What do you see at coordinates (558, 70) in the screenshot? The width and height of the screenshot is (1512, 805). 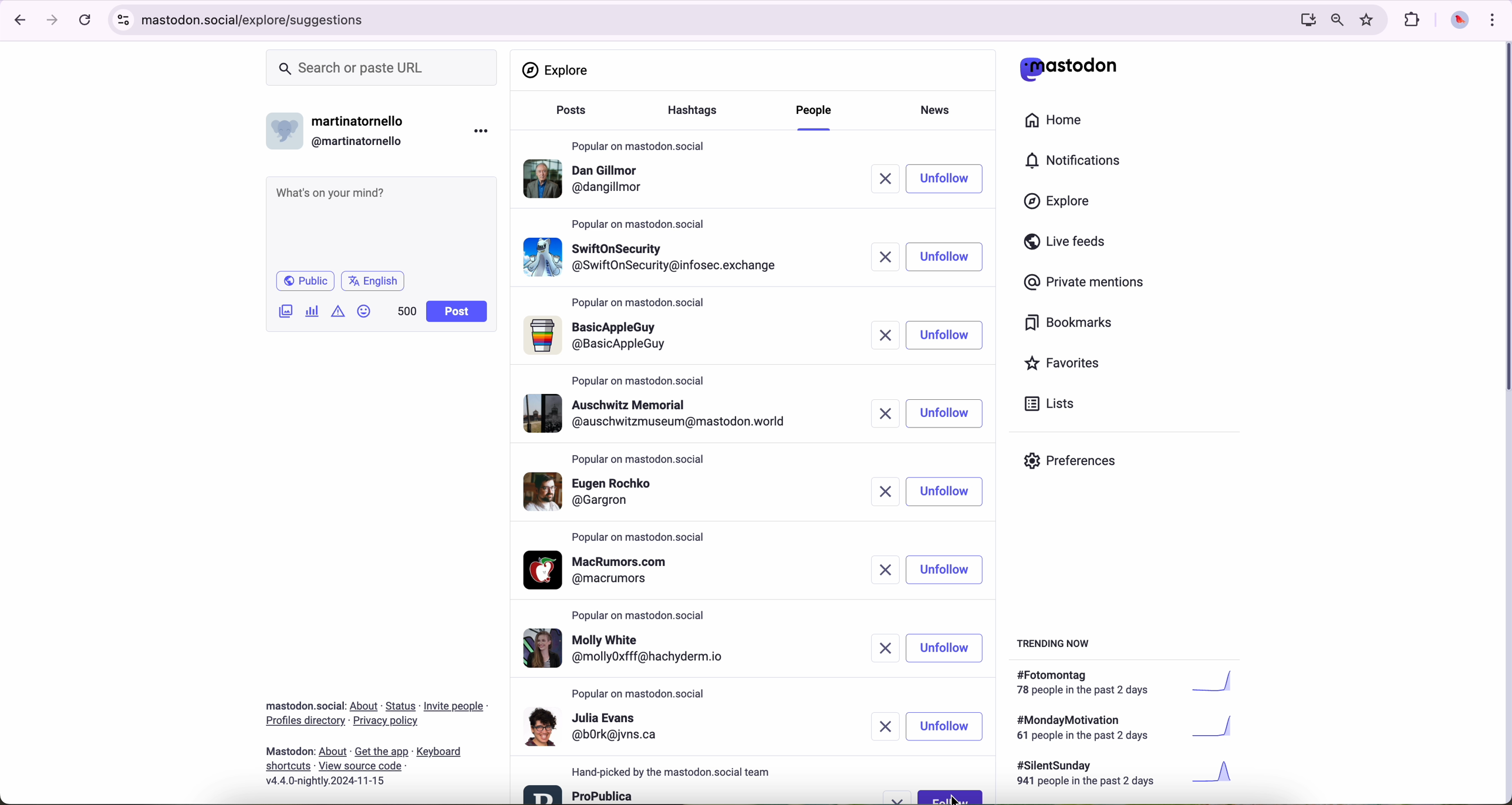 I see `explore section` at bounding box center [558, 70].